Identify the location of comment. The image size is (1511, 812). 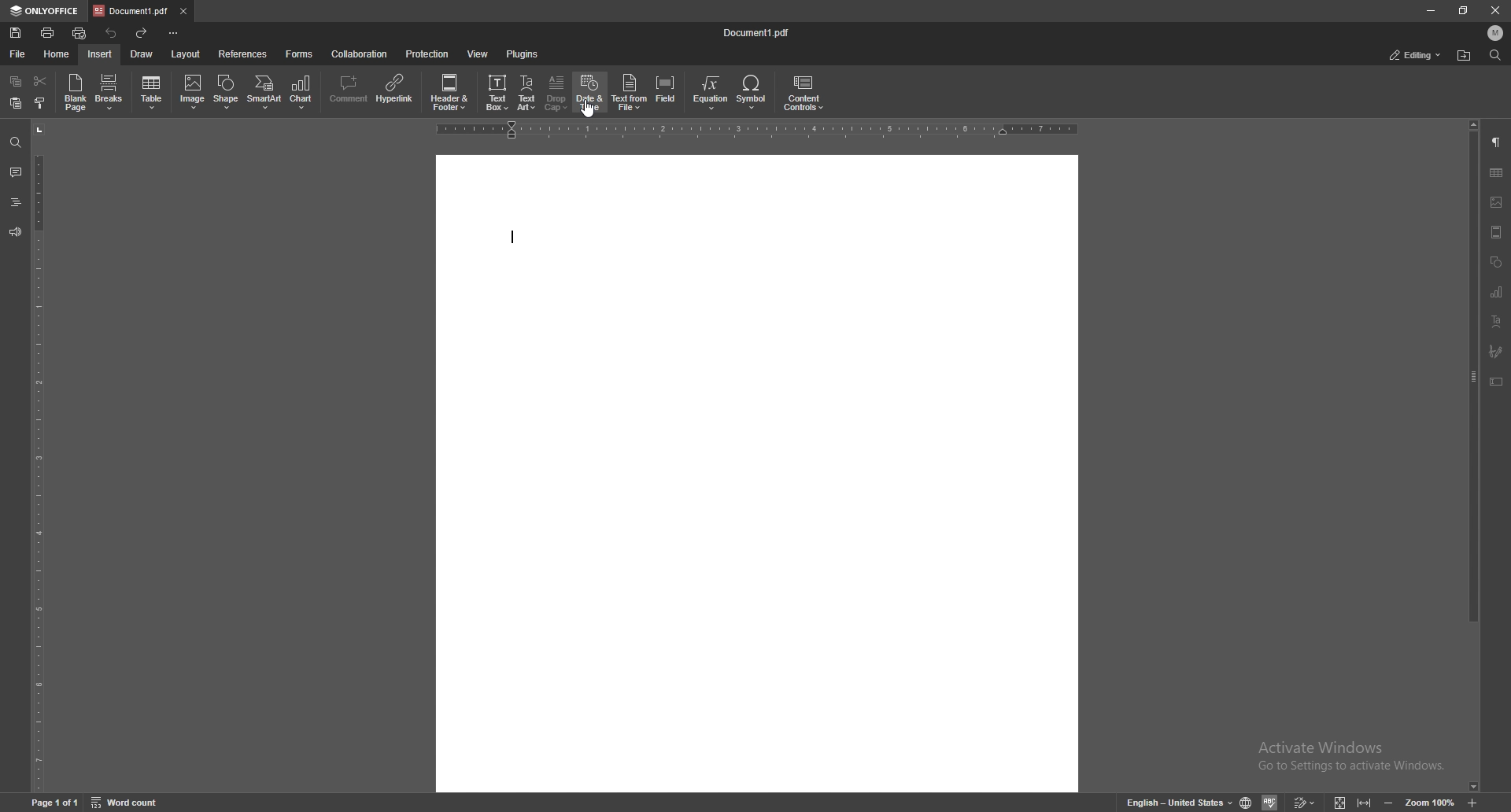
(348, 90).